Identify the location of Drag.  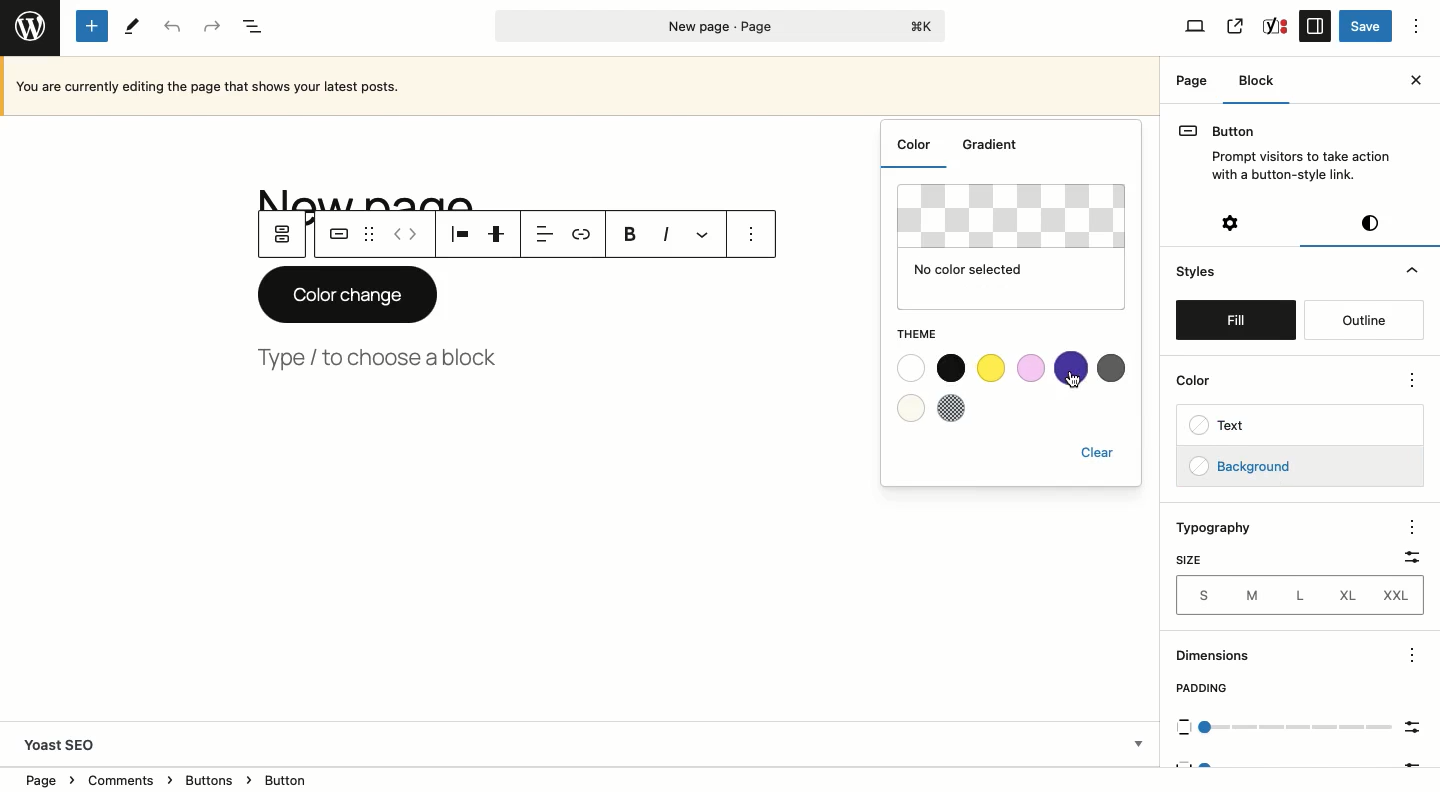
(368, 235).